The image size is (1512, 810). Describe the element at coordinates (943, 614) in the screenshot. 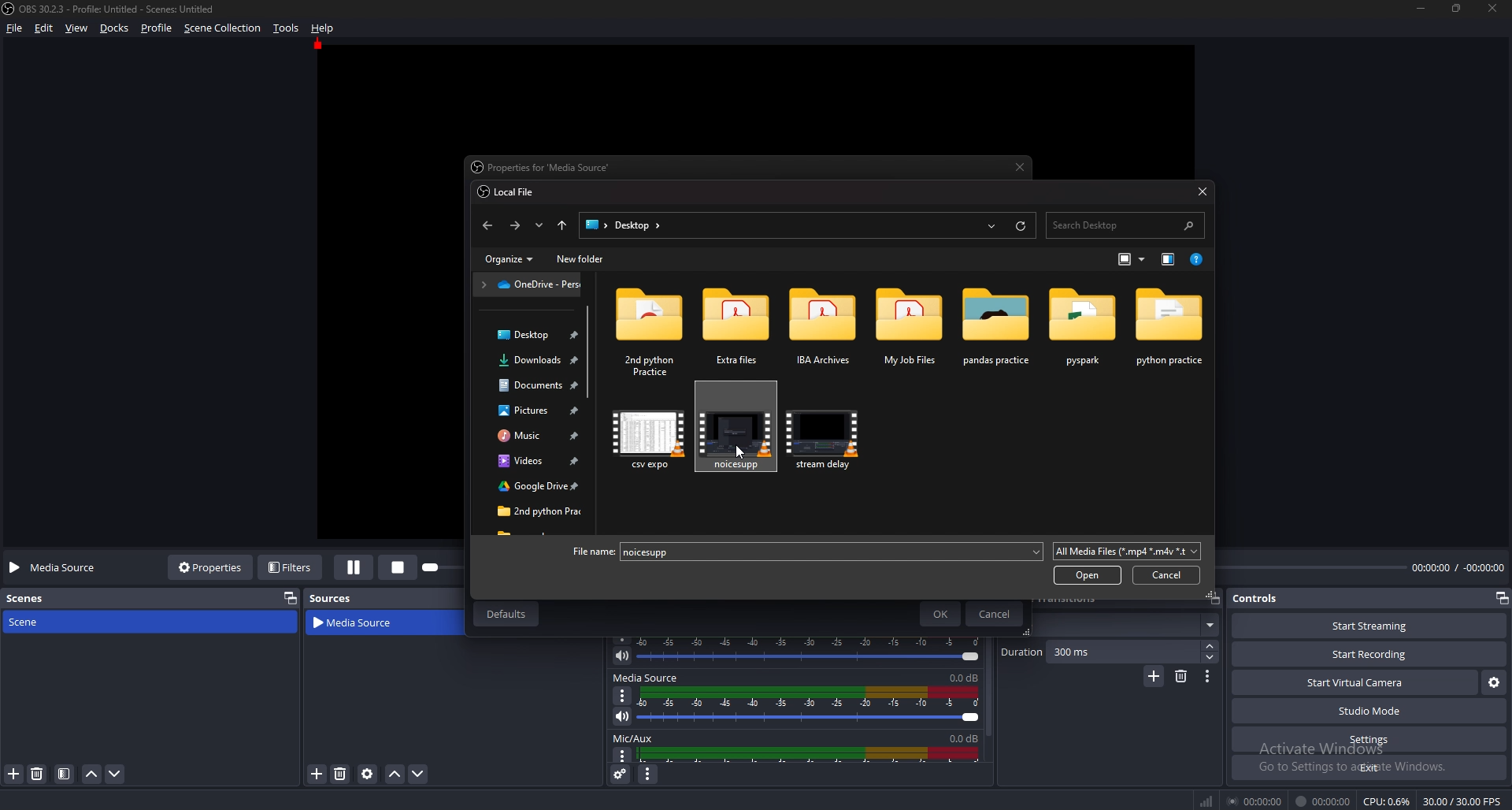

I see `ok` at that location.